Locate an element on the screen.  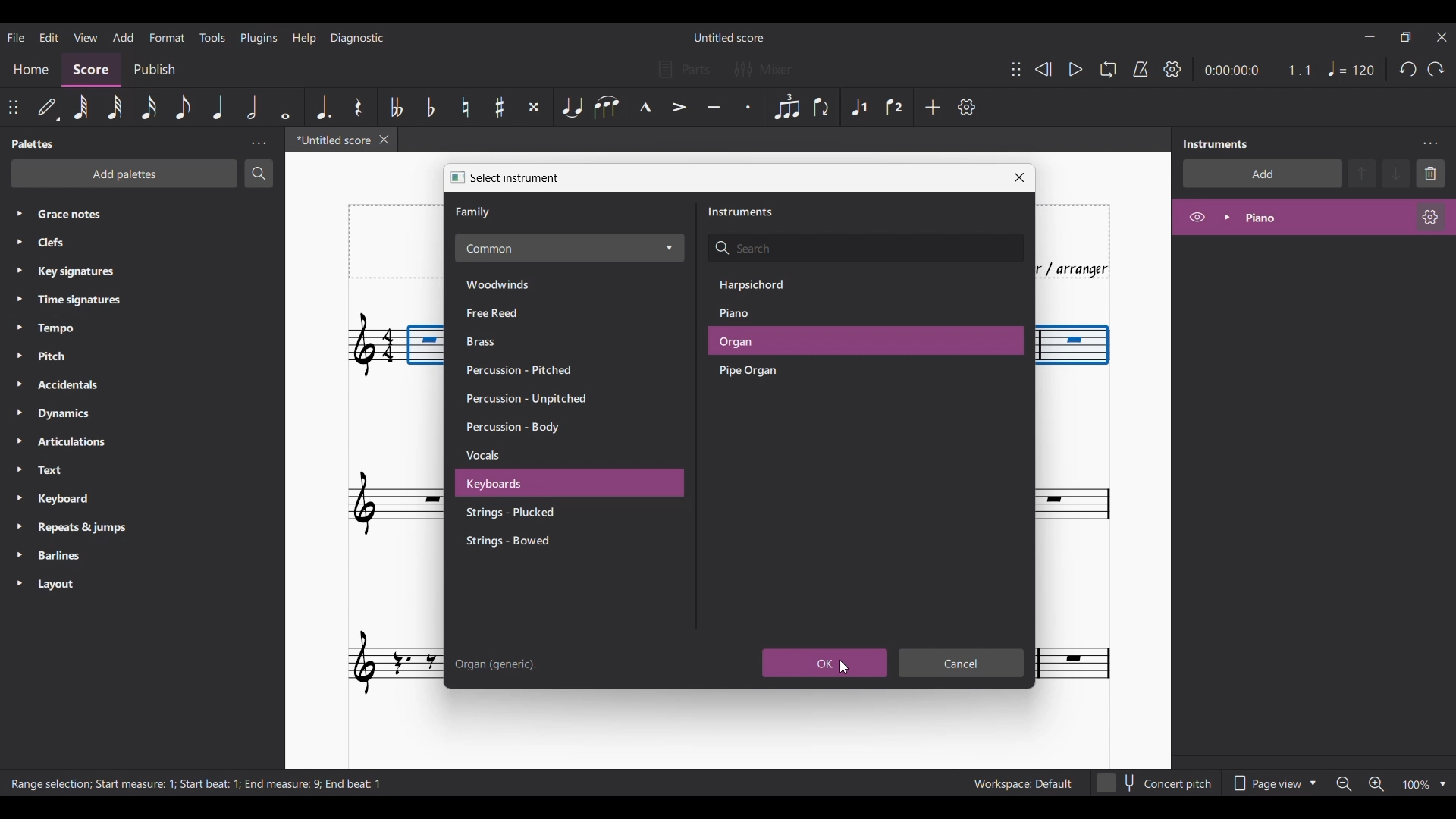
Augmentation dot is located at coordinates (323, 106).